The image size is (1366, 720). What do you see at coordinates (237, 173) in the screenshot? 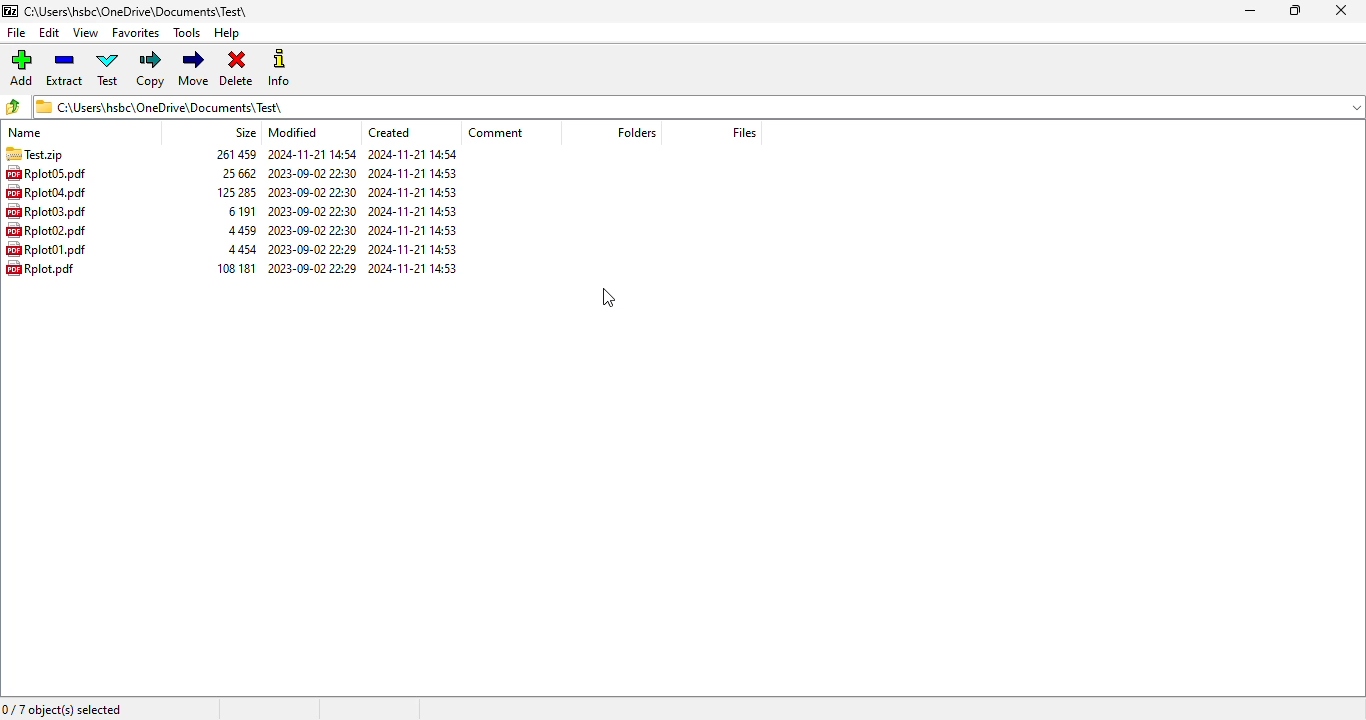
I see `size` at bounding box center [237, 173].